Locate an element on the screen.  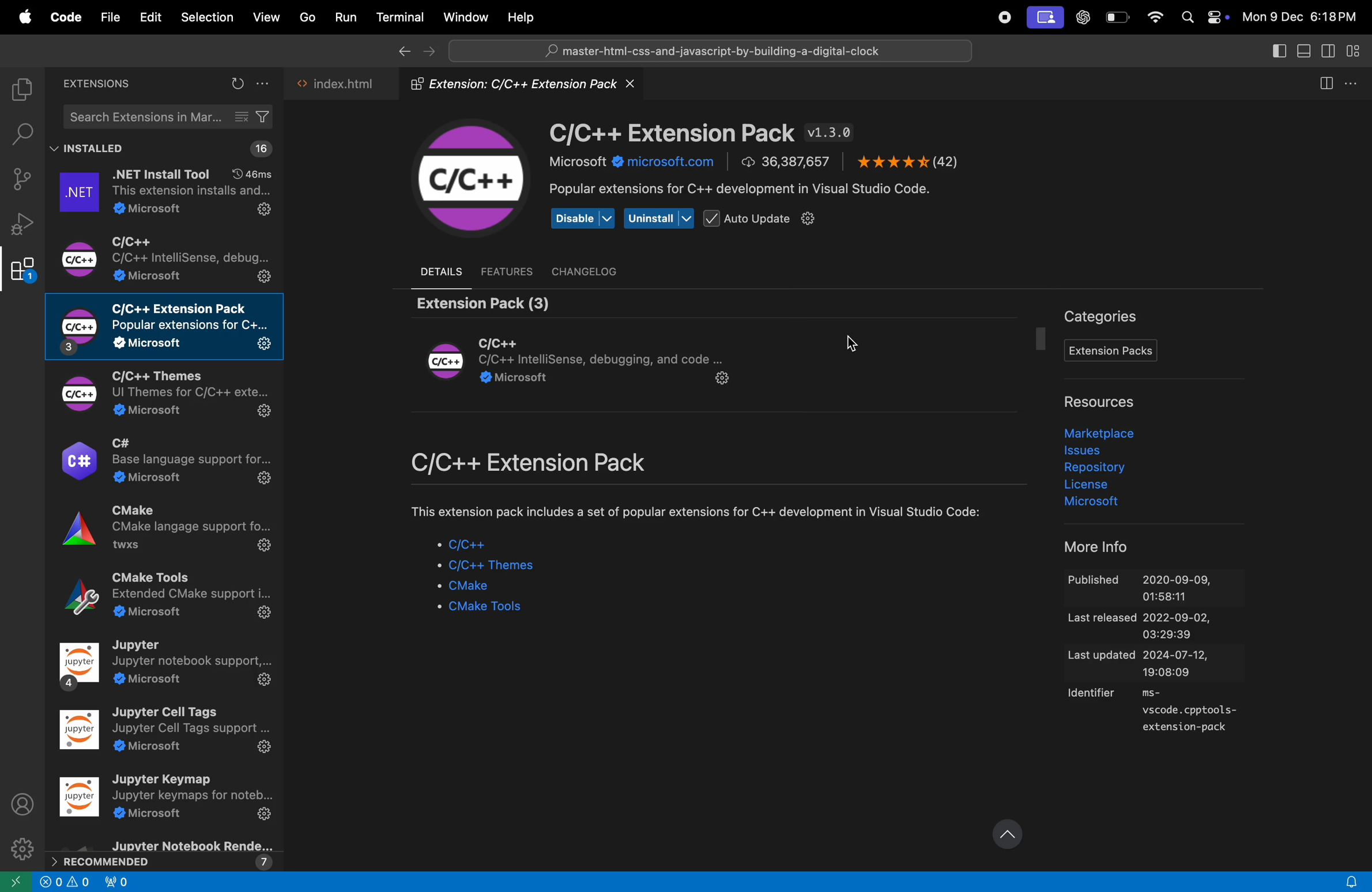
Help is located at coordinates (519, 16).